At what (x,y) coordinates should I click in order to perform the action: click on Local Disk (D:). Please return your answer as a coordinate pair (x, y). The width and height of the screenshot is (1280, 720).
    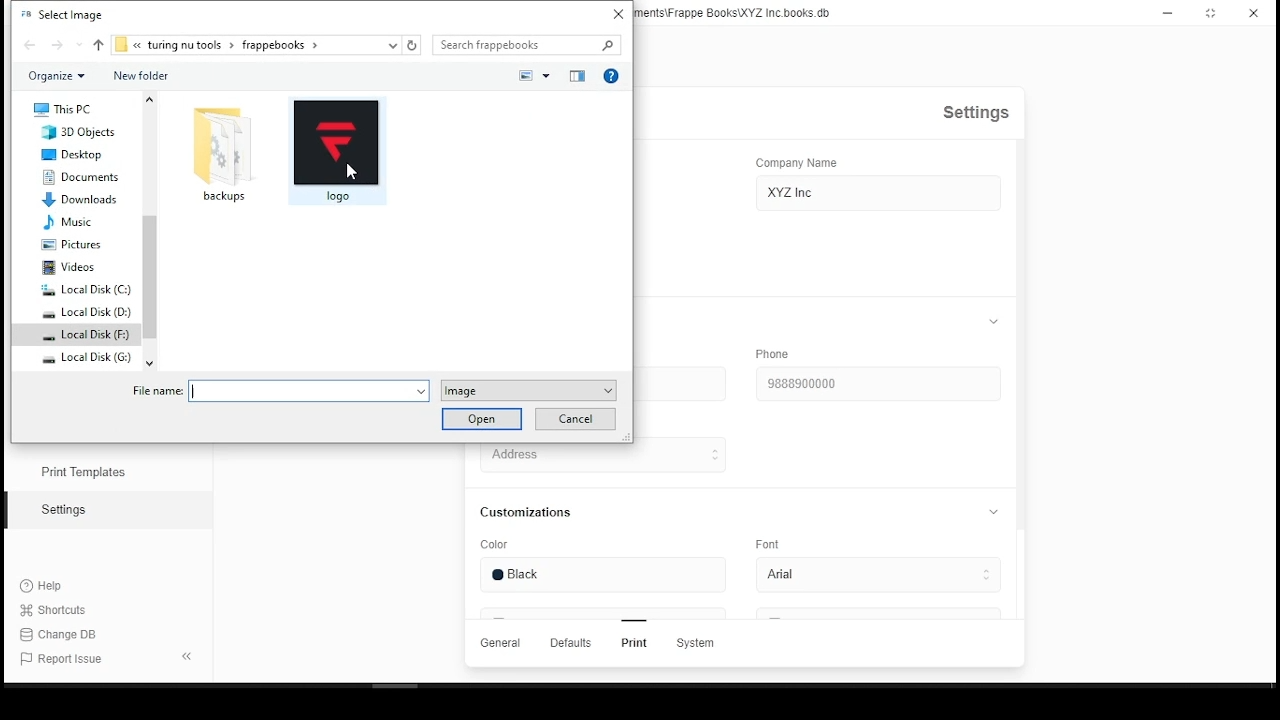
    Looking at the image, I should click on (87, 290).